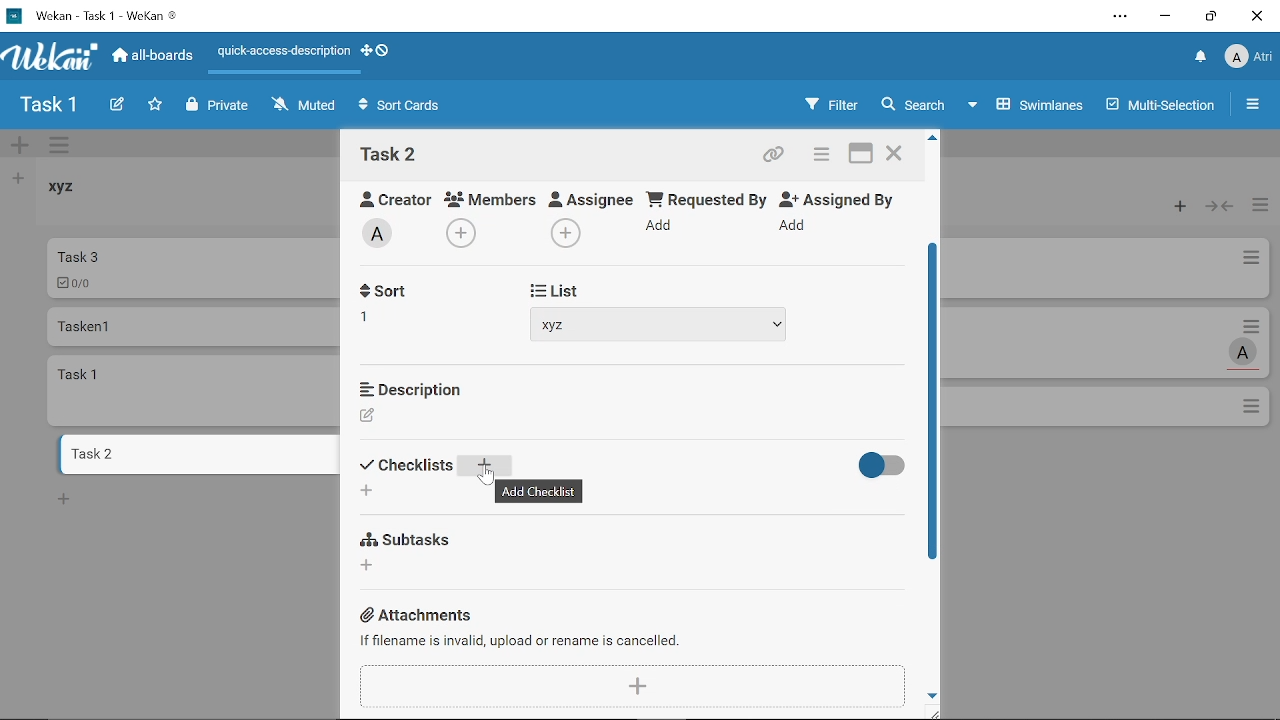 The height and width of the screenshot is (720, 1280). What do you see at coordinates (1260, 207) in the screenshot?
I see `Manage card actions` at bounding box center [1260, 207].